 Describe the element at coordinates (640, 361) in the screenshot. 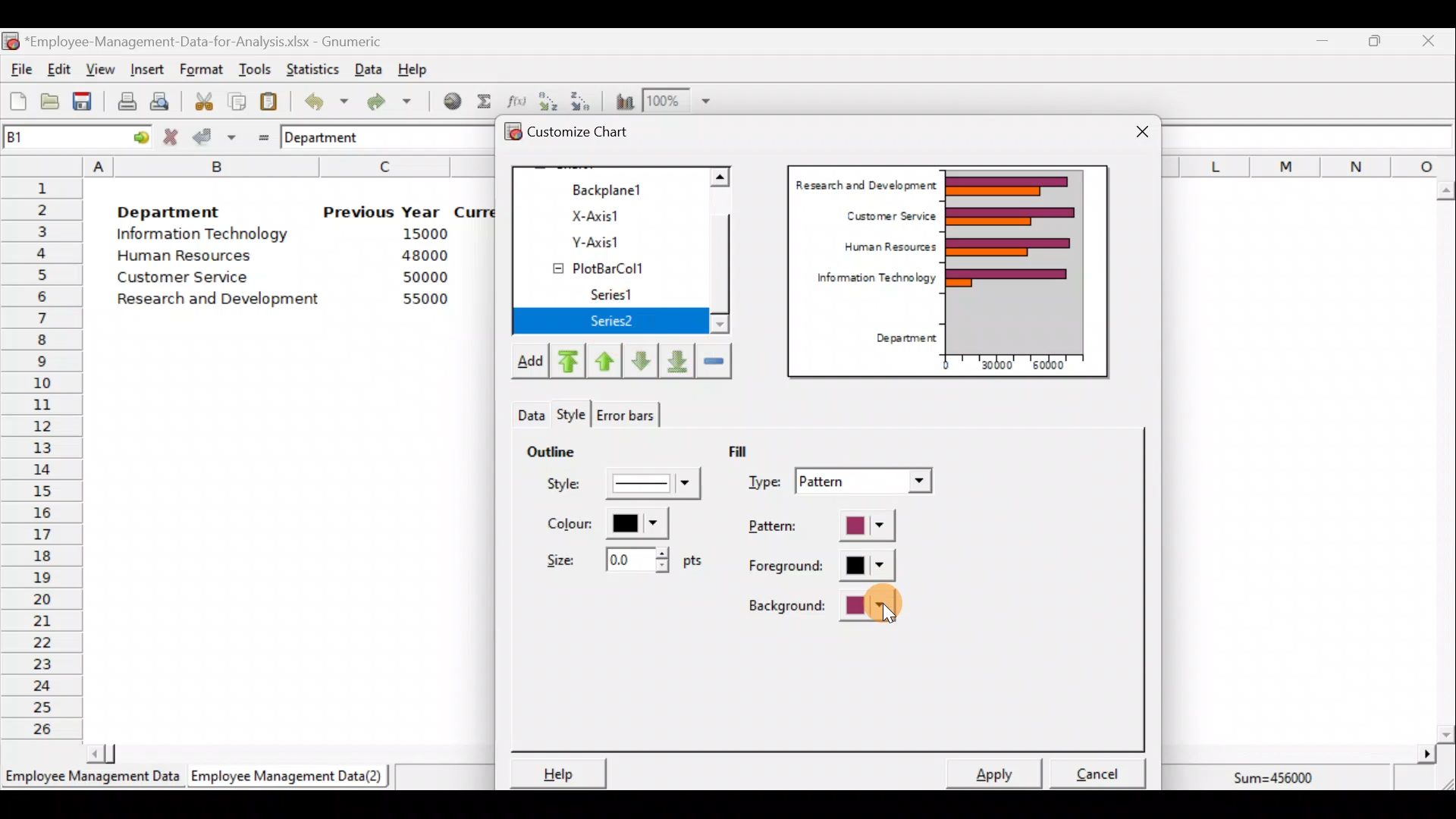

I see `Move down` at that location.